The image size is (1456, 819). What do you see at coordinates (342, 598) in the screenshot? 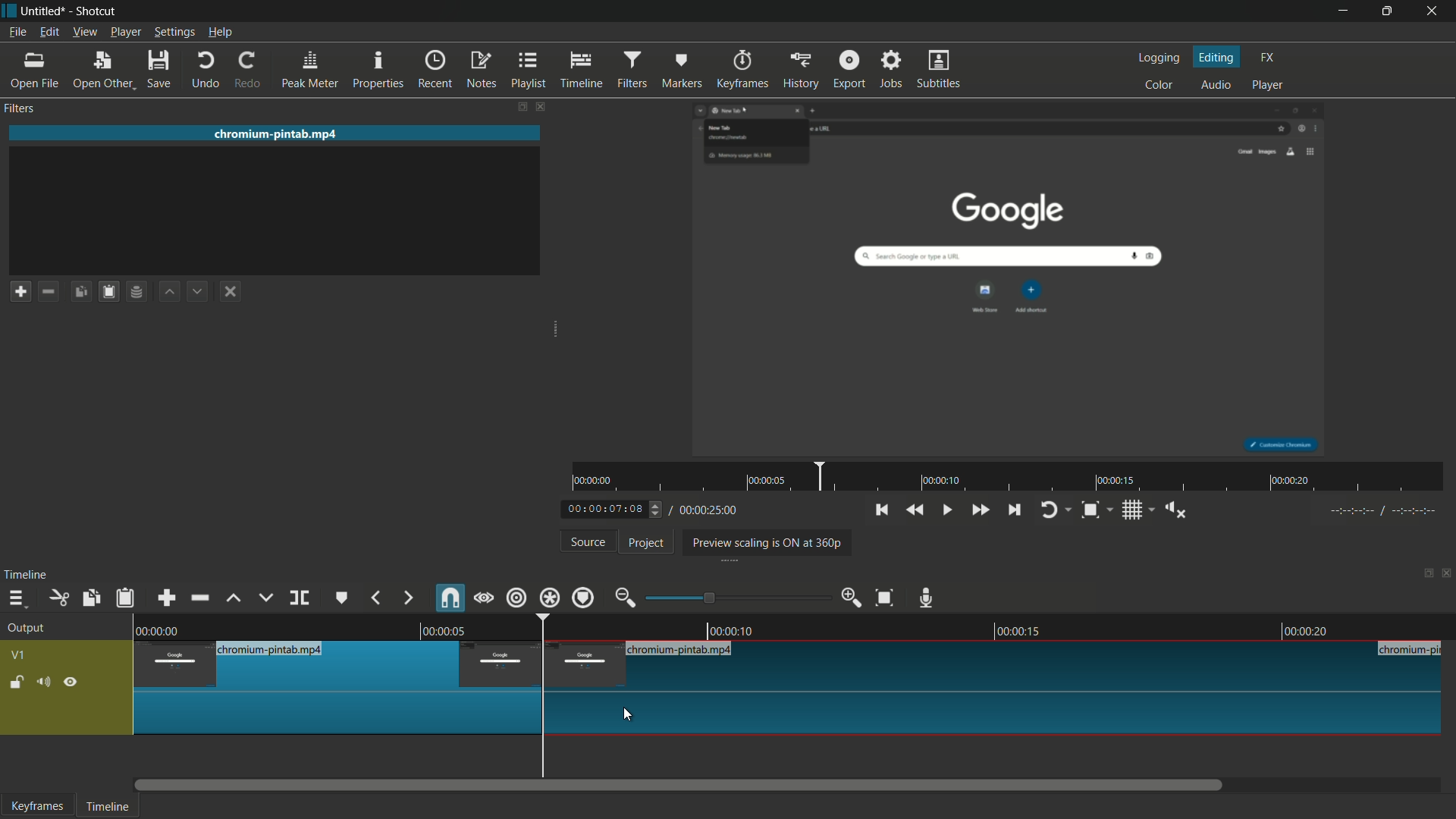
I see `create or edit marker` at bounding box center [342, 598].